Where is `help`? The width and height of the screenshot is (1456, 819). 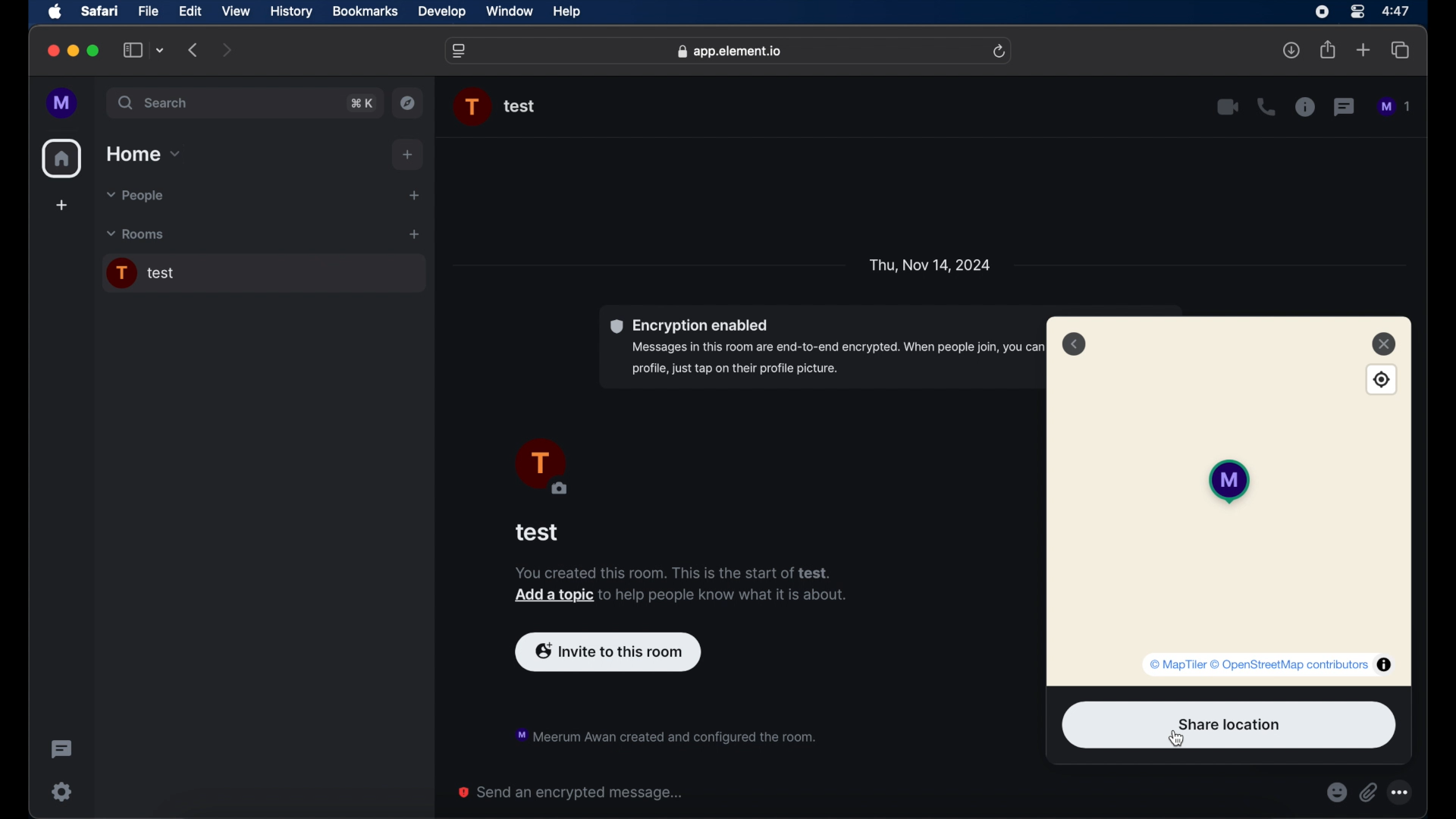
help is located at coordinates (567, 12).